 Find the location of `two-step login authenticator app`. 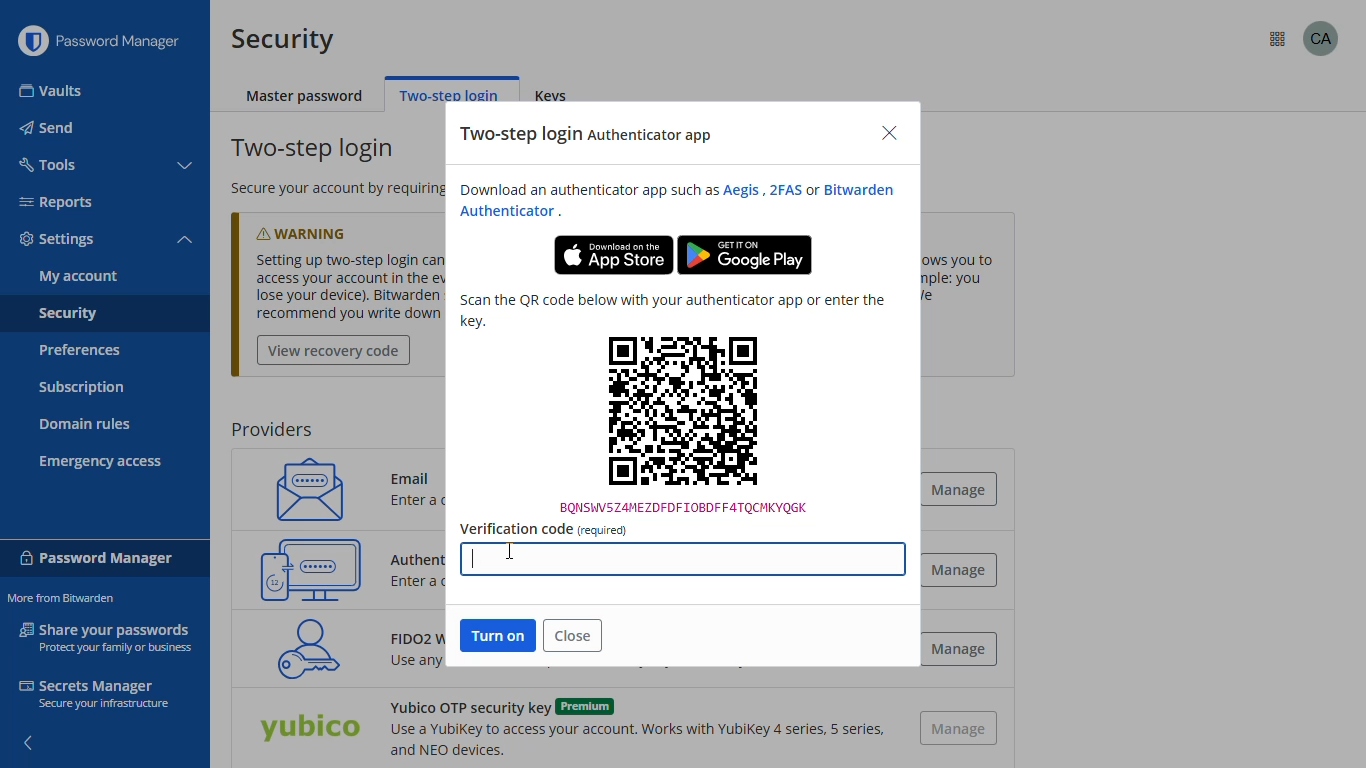

two-step login authenticator app is located at coordinates (588, 135).